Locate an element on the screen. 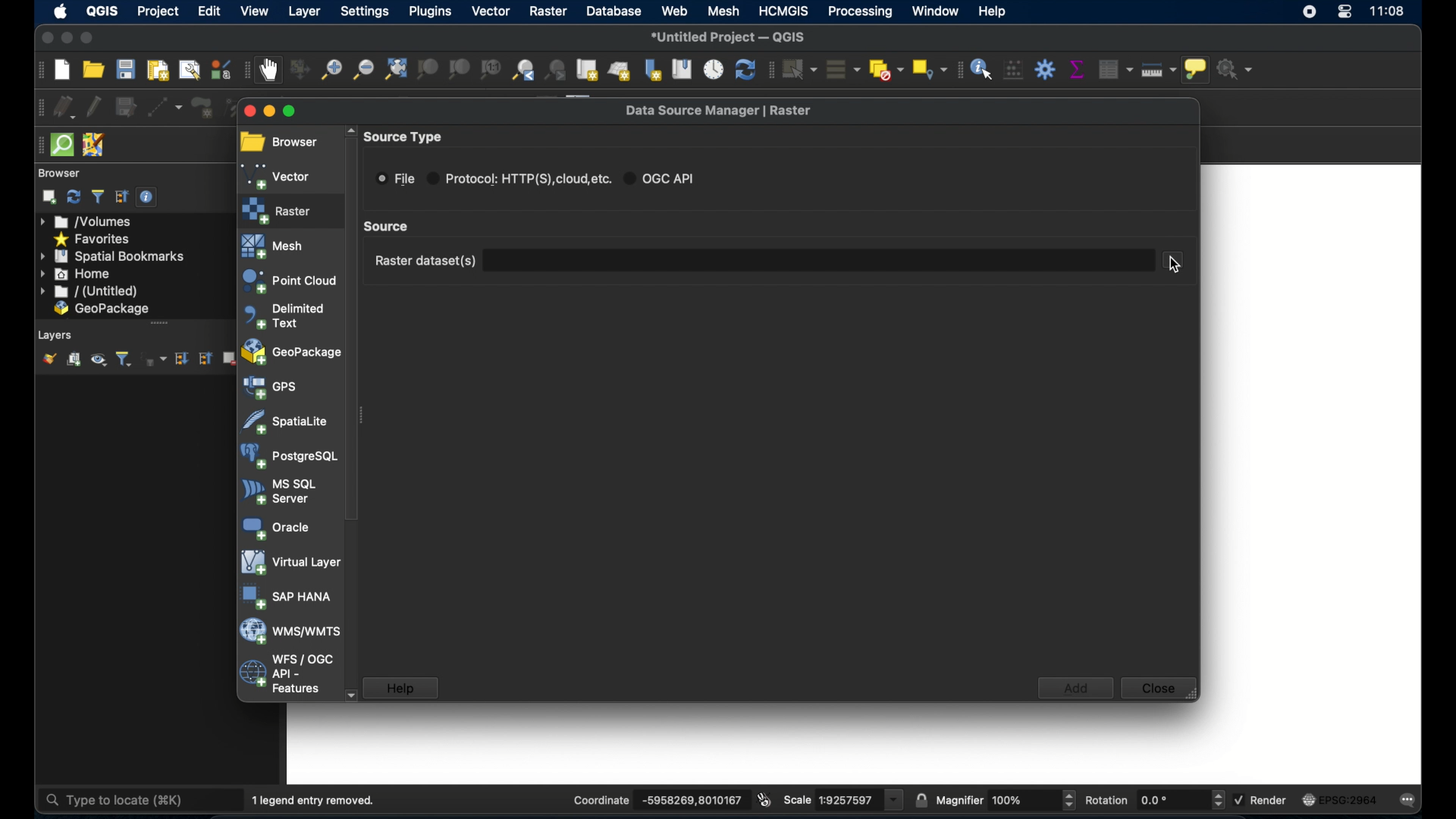  ile radio button is located at coordinates (395, 179).